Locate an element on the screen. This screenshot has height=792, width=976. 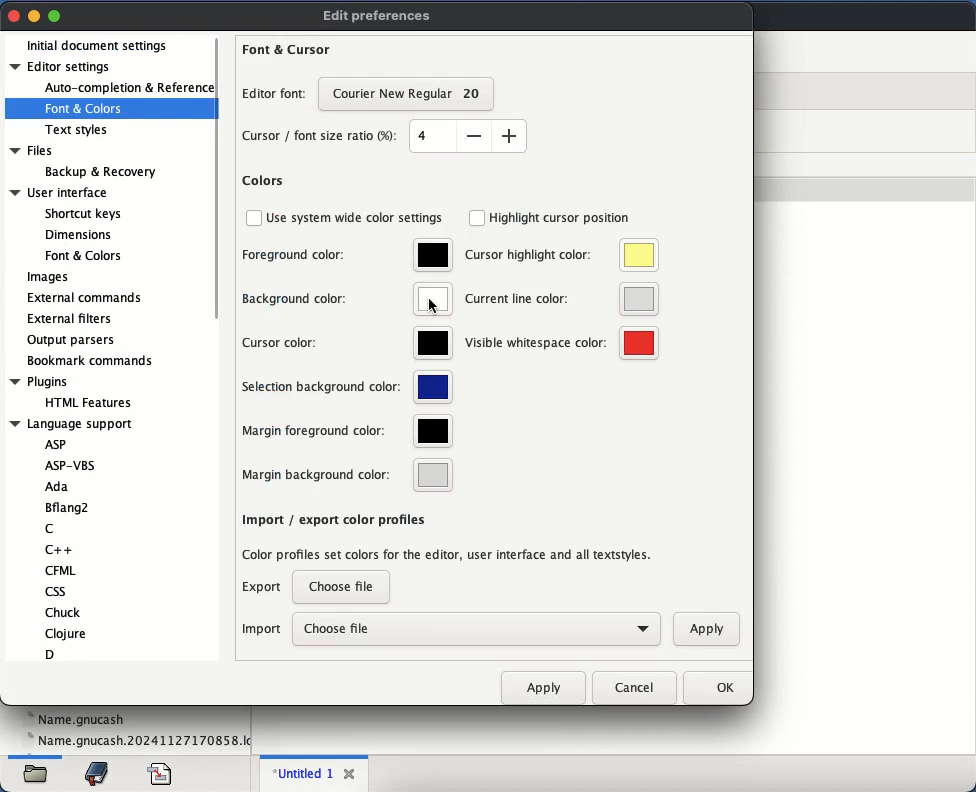
css is located at coordinates (57, 591).